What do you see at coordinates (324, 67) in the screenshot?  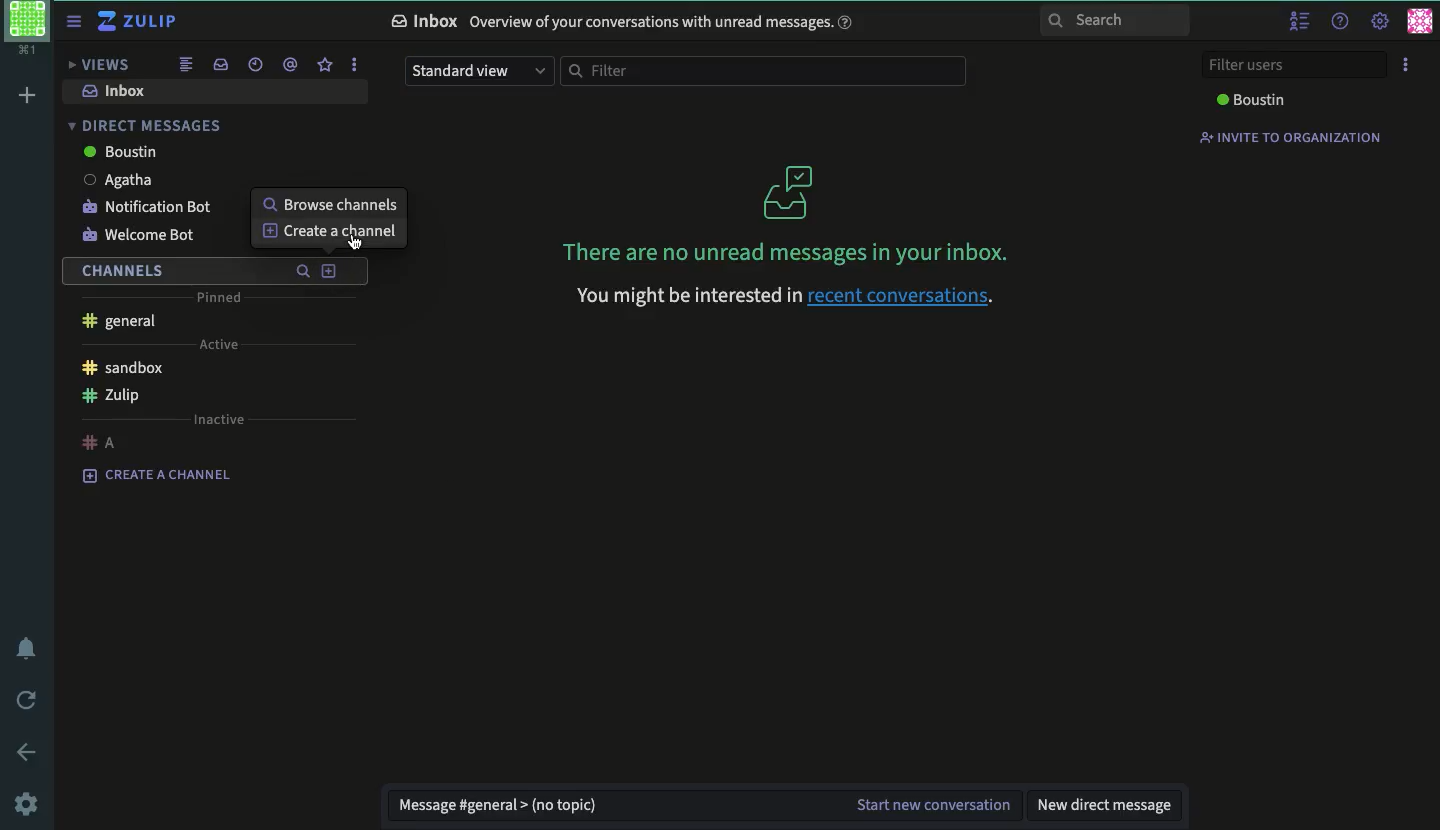 I see `star` at bounding box center [324, 67].